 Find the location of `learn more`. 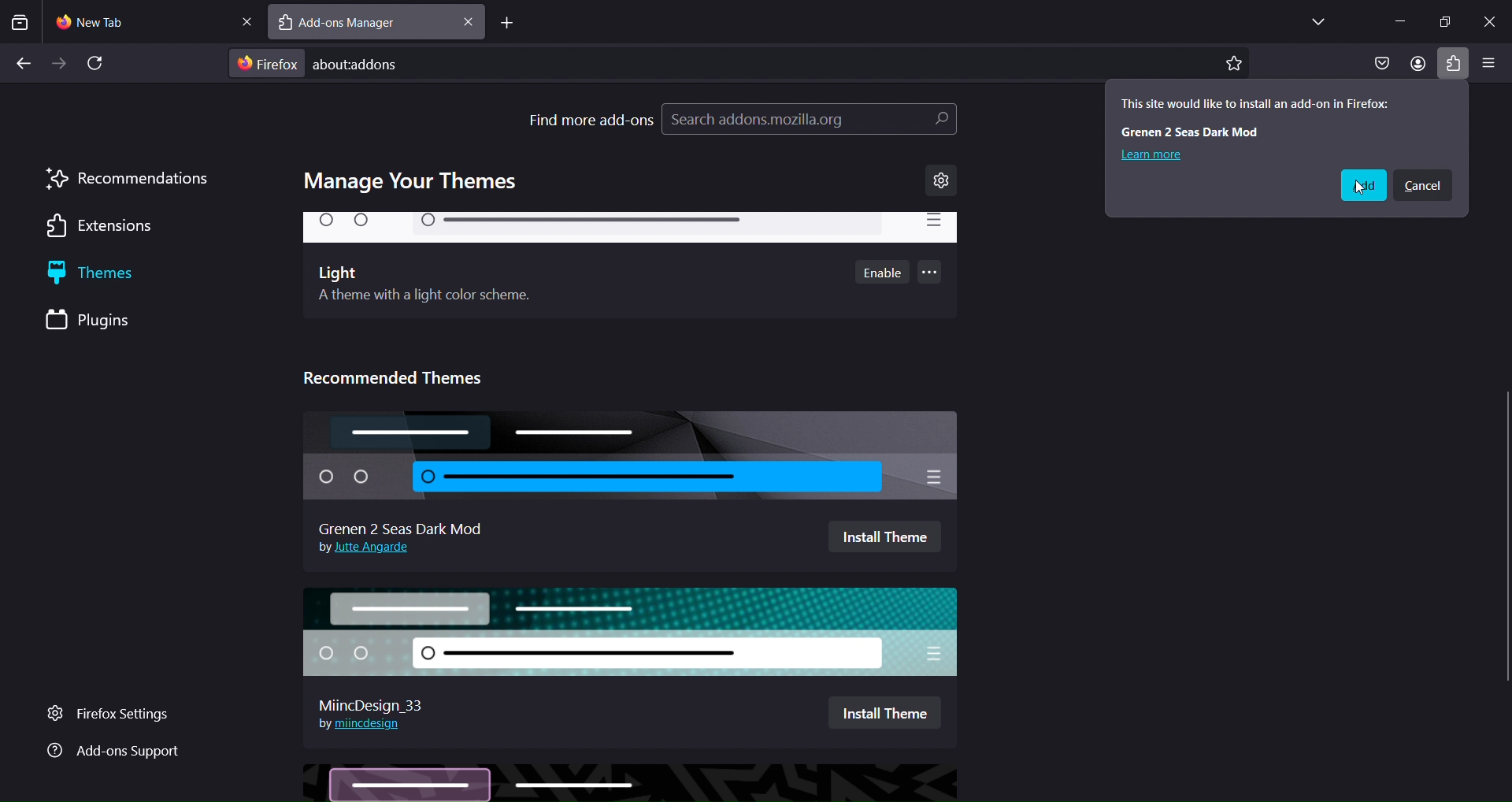

learn more is located at coordinates (1154, 154).